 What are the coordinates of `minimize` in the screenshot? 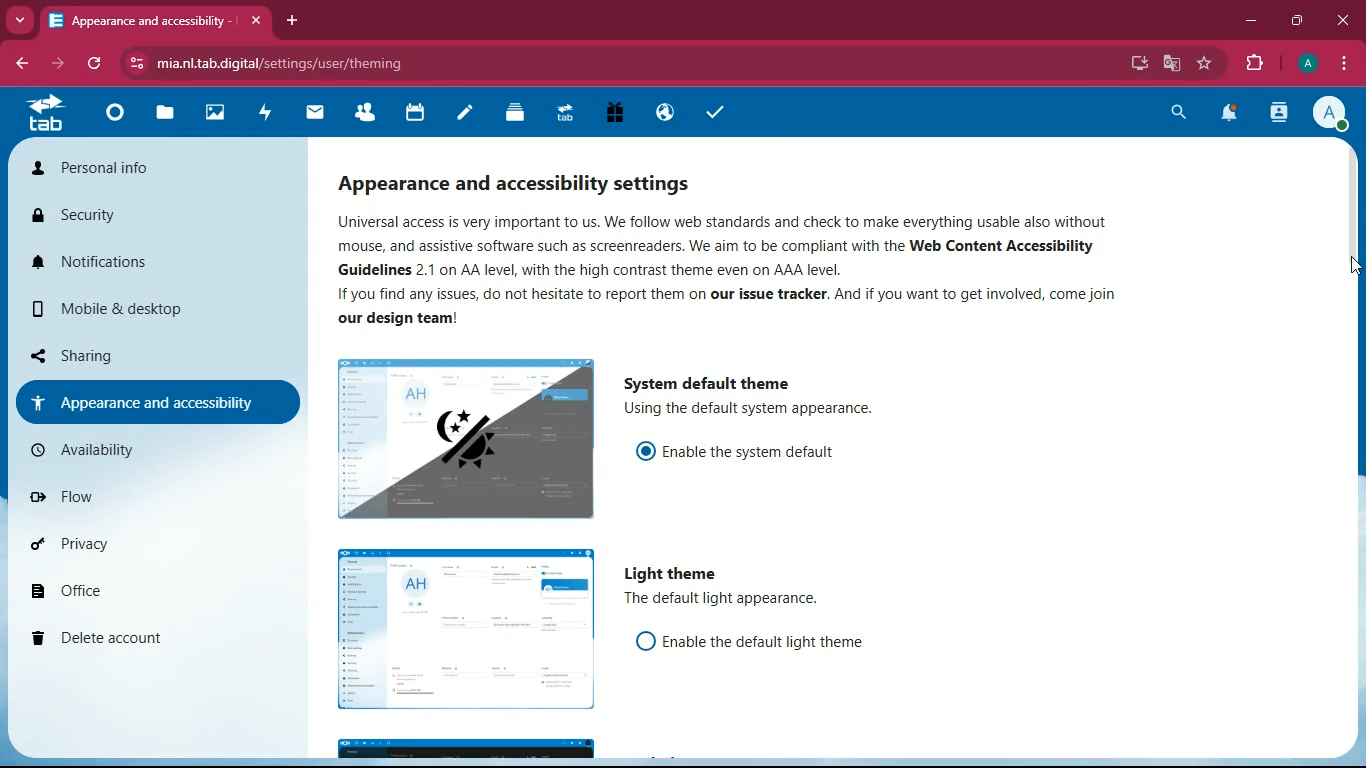 It's located at (1250, 23).